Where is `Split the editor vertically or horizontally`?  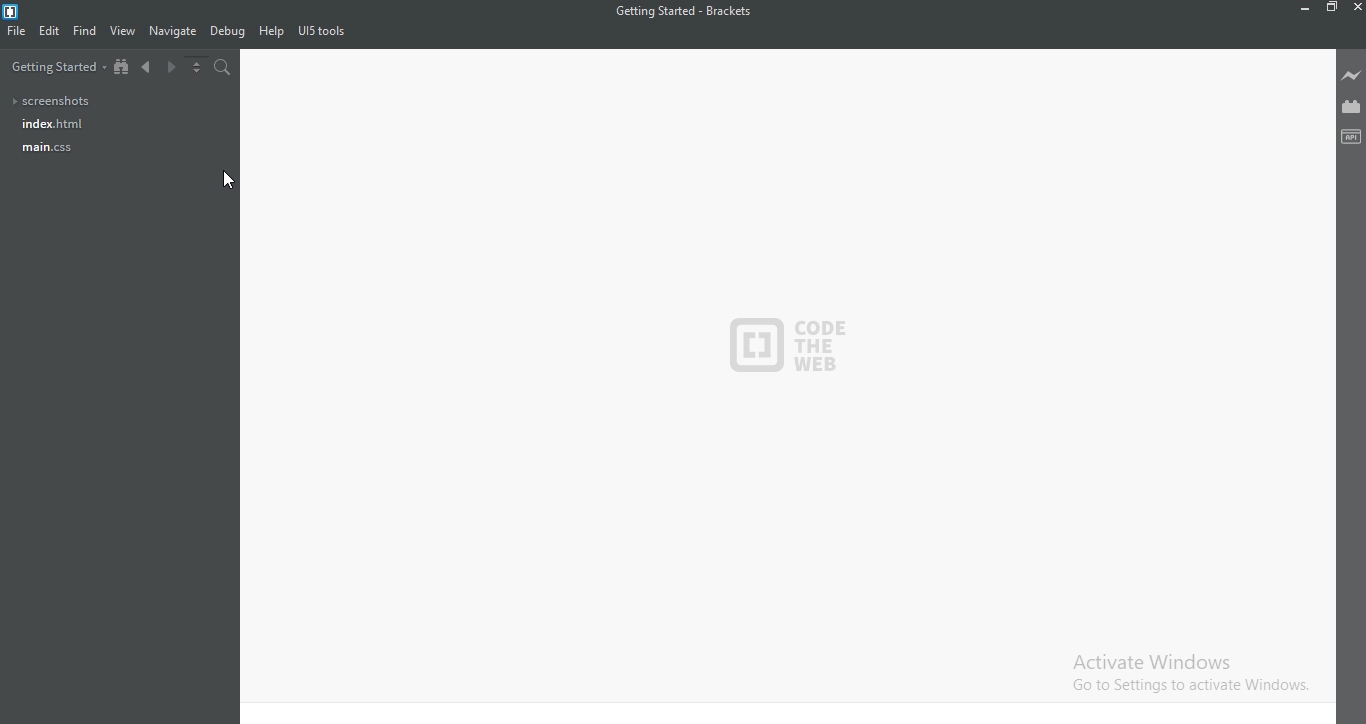
Split the editor vertically or horizontally is located at coordinates (199, 69).